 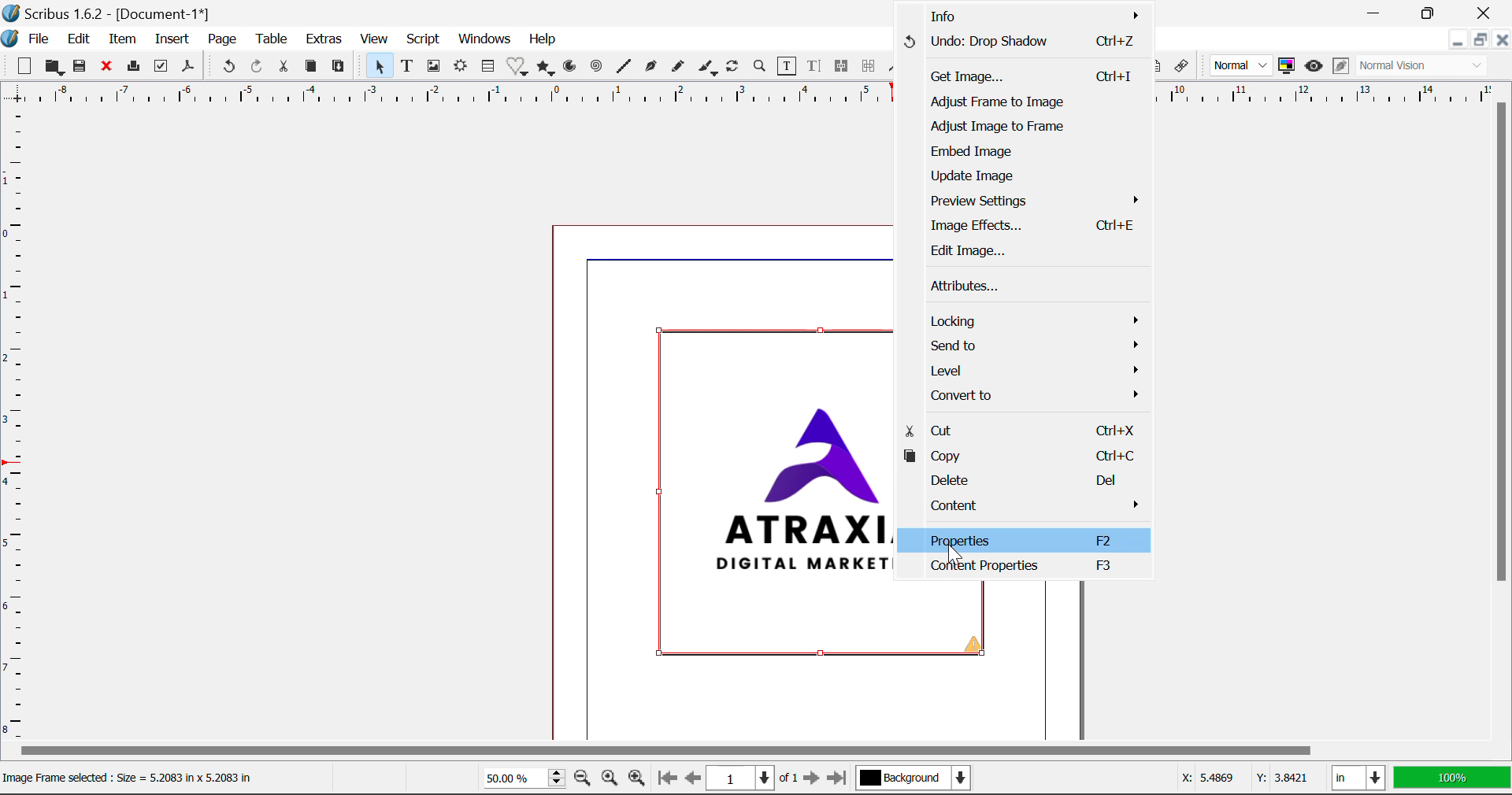 What do you see at coordinates (171, 39) in the screenshot?
I see `Insert` at bounding box center [171, 39].